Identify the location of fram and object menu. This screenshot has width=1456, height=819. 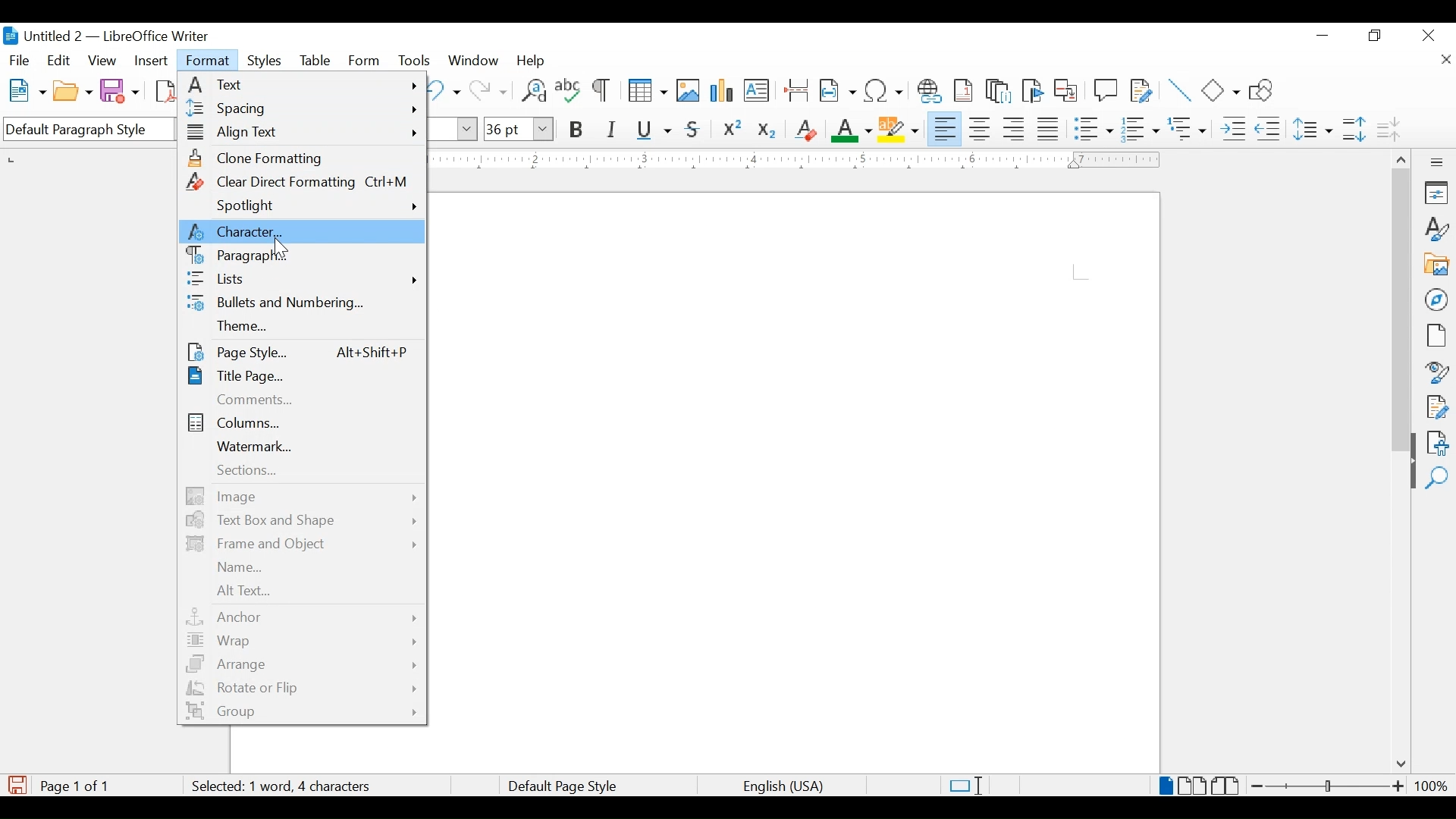
(302, 544).